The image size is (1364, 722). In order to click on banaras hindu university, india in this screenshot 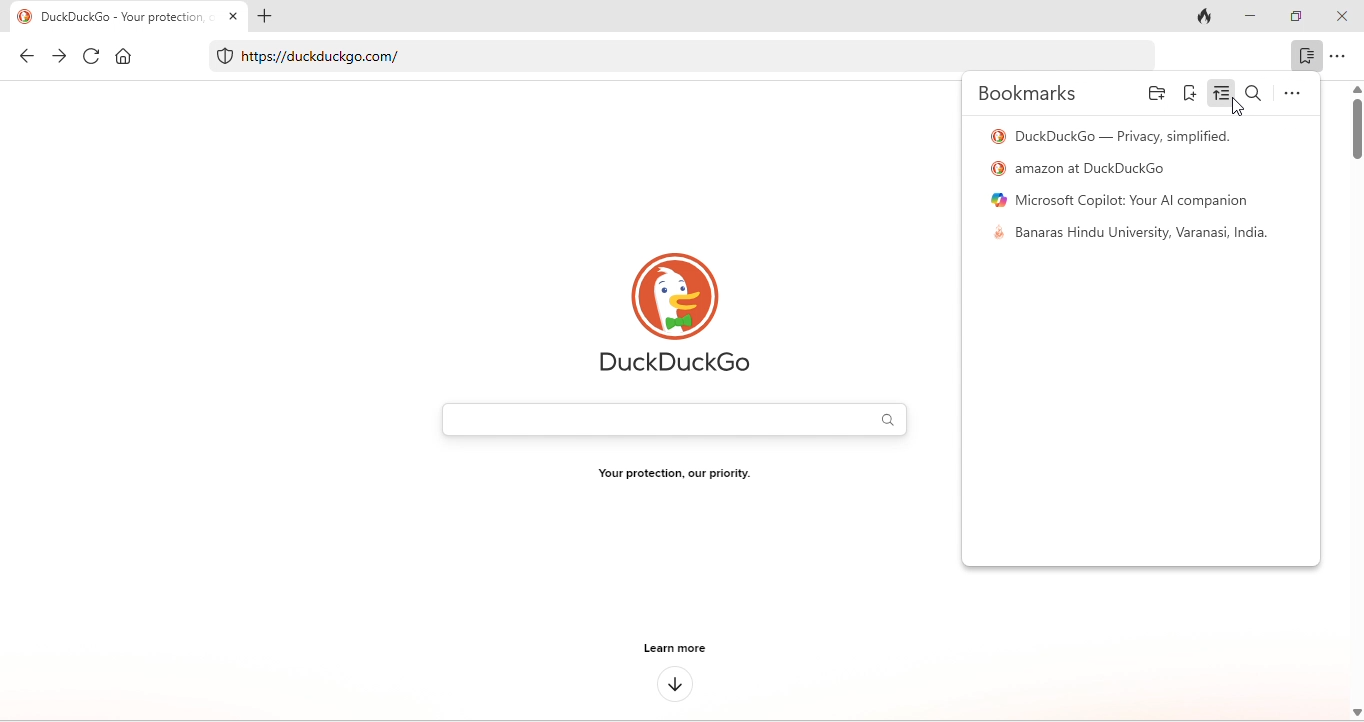, I will do `click(1133, 237)`.